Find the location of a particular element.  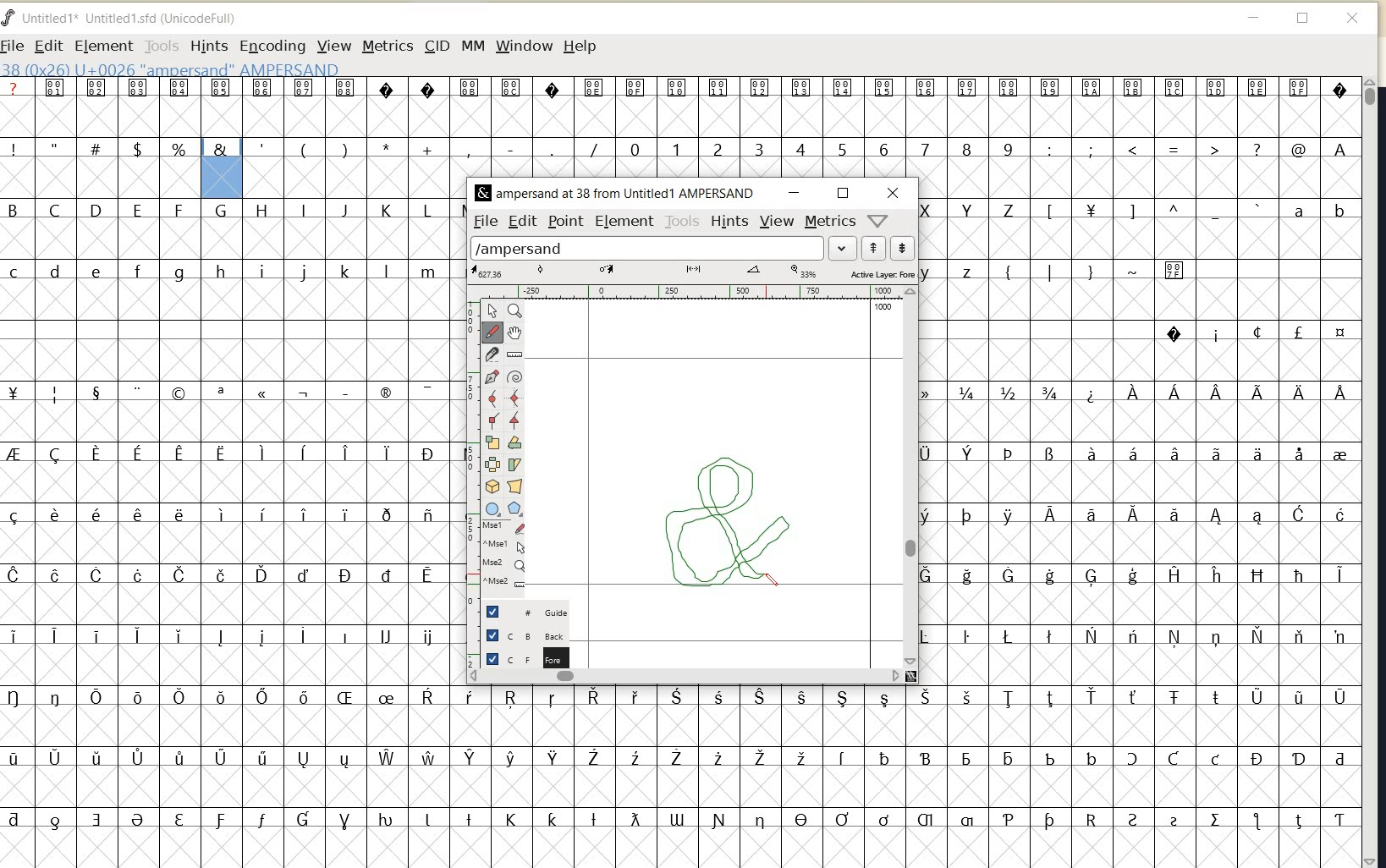

skew the selection is located at coordinates (514, 464).